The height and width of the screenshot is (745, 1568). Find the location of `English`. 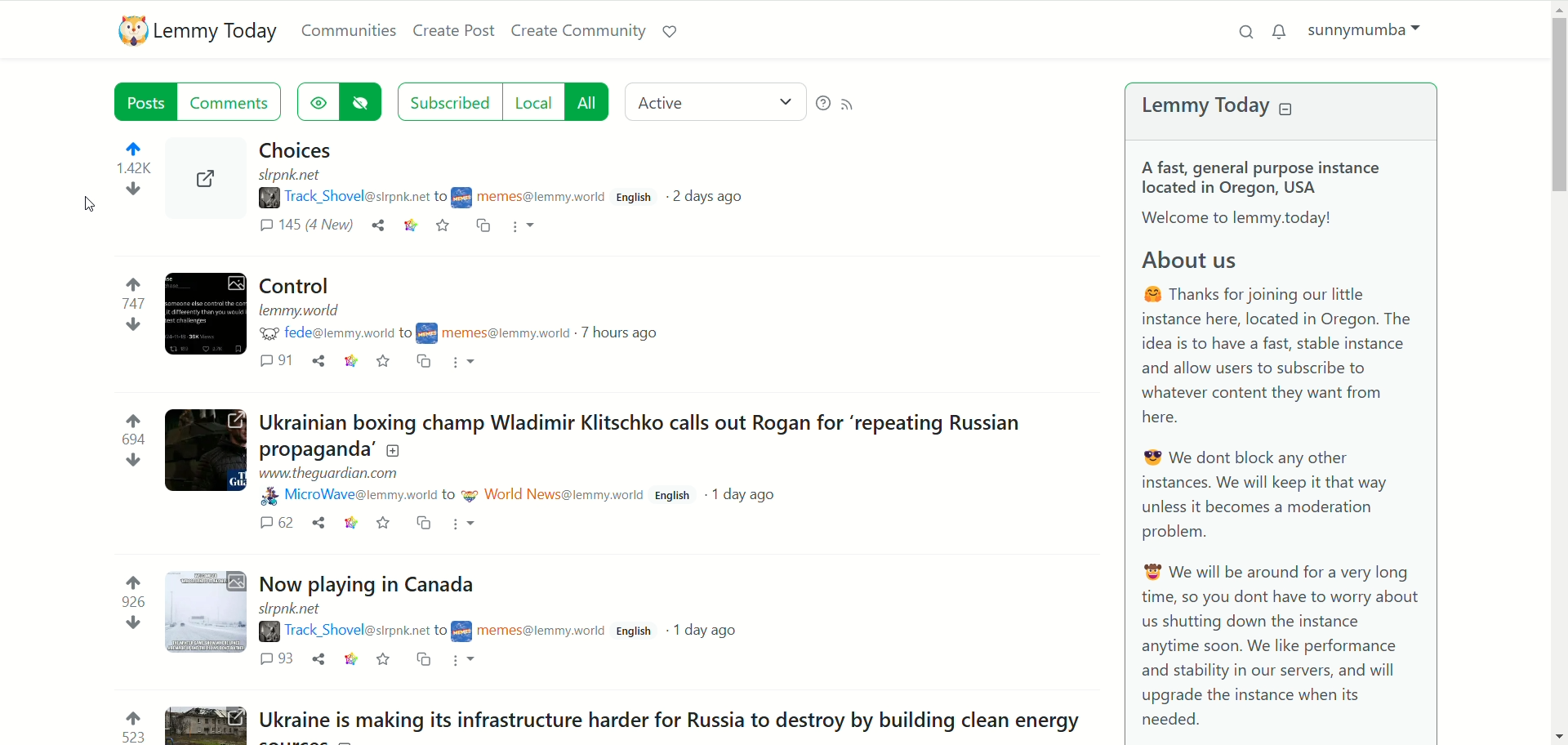

English is located at coordinates (635, 632).